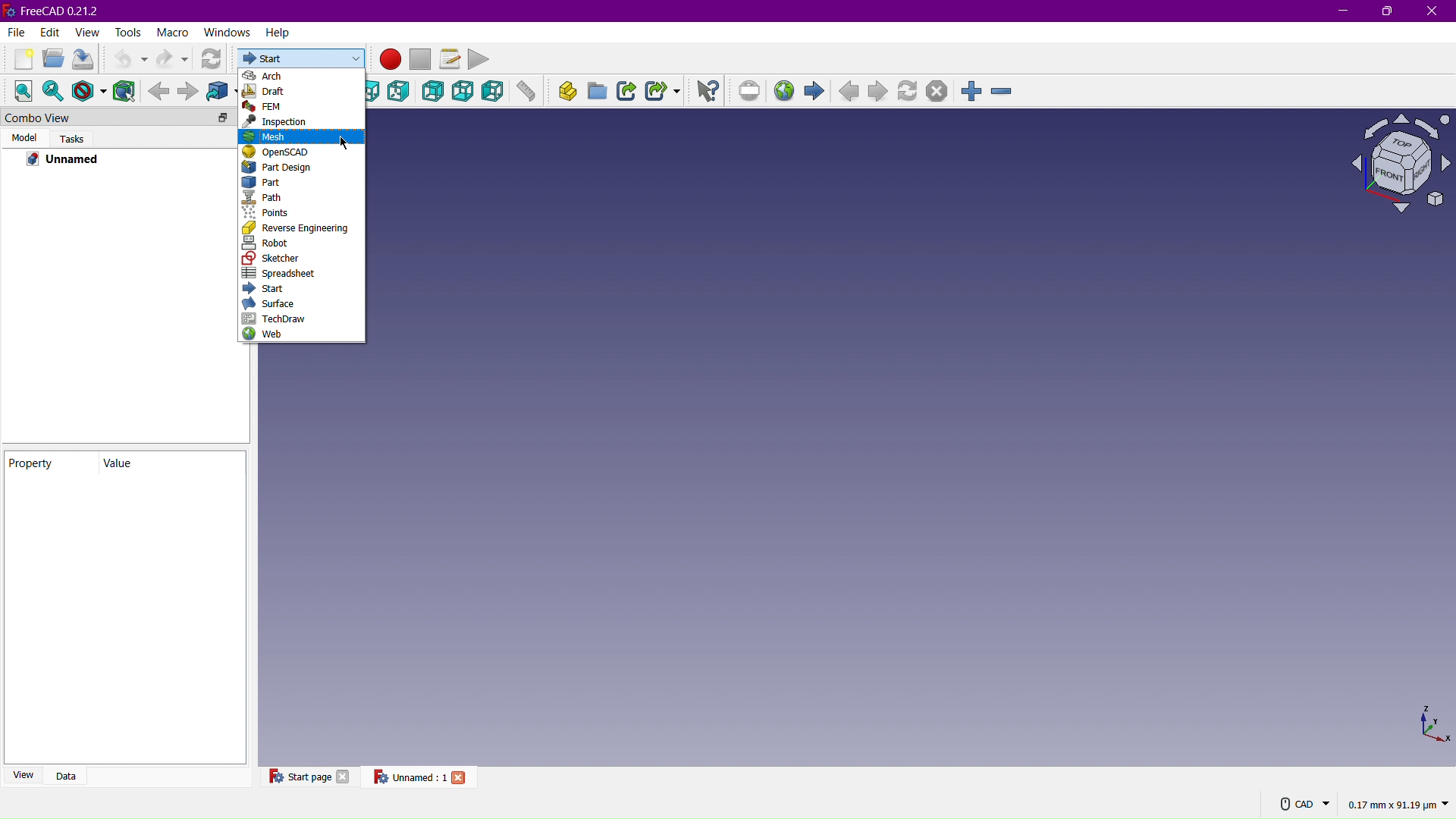 Image resolution: width=1456 pixels, height=819 pixels. Describe the element at coordinates (1432, 724) in the screenshot. I see `3D Axis View` at that location.